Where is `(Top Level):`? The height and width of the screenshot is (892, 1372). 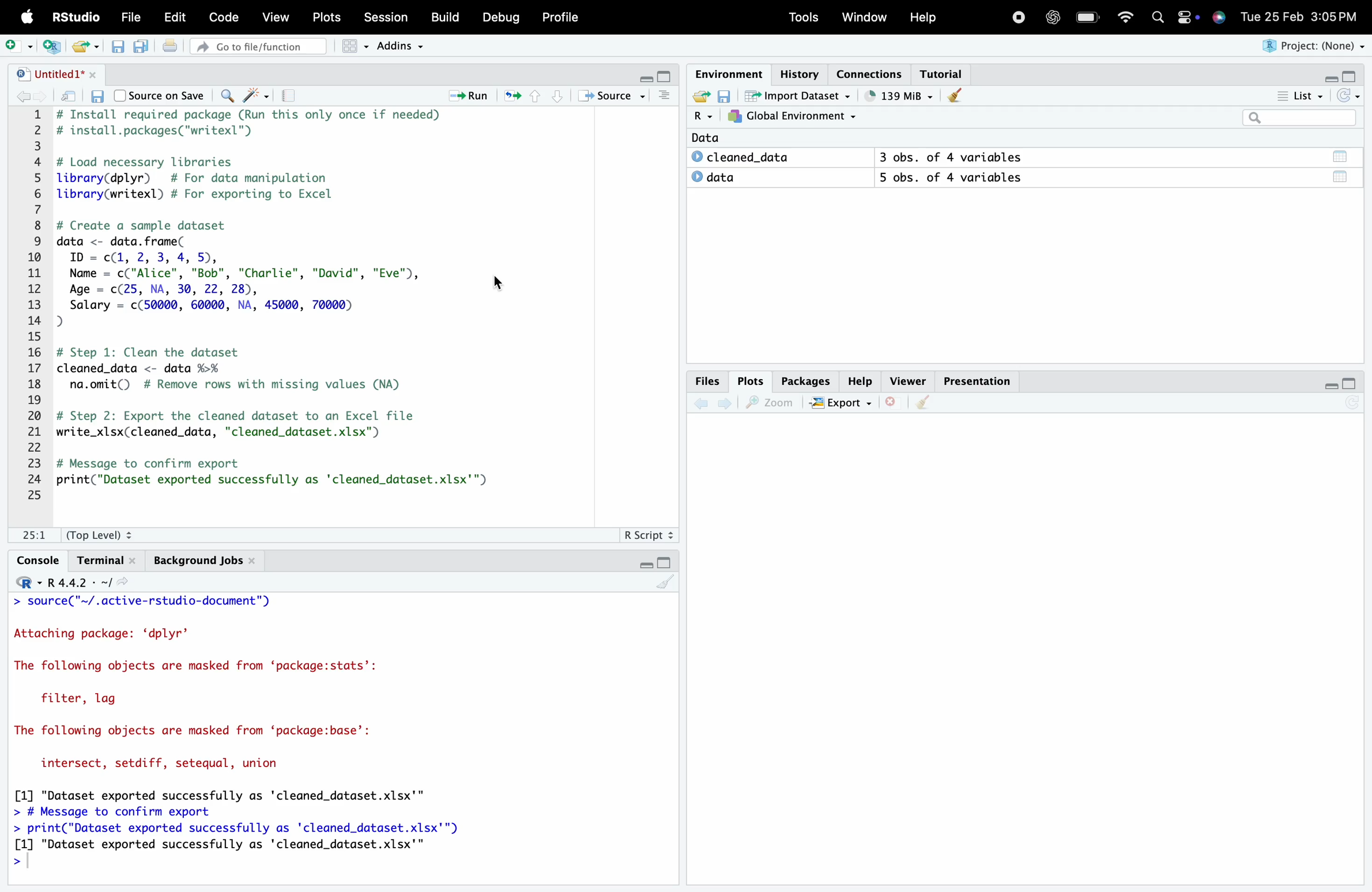 (Top Level): is located at coordinates (100, 532).